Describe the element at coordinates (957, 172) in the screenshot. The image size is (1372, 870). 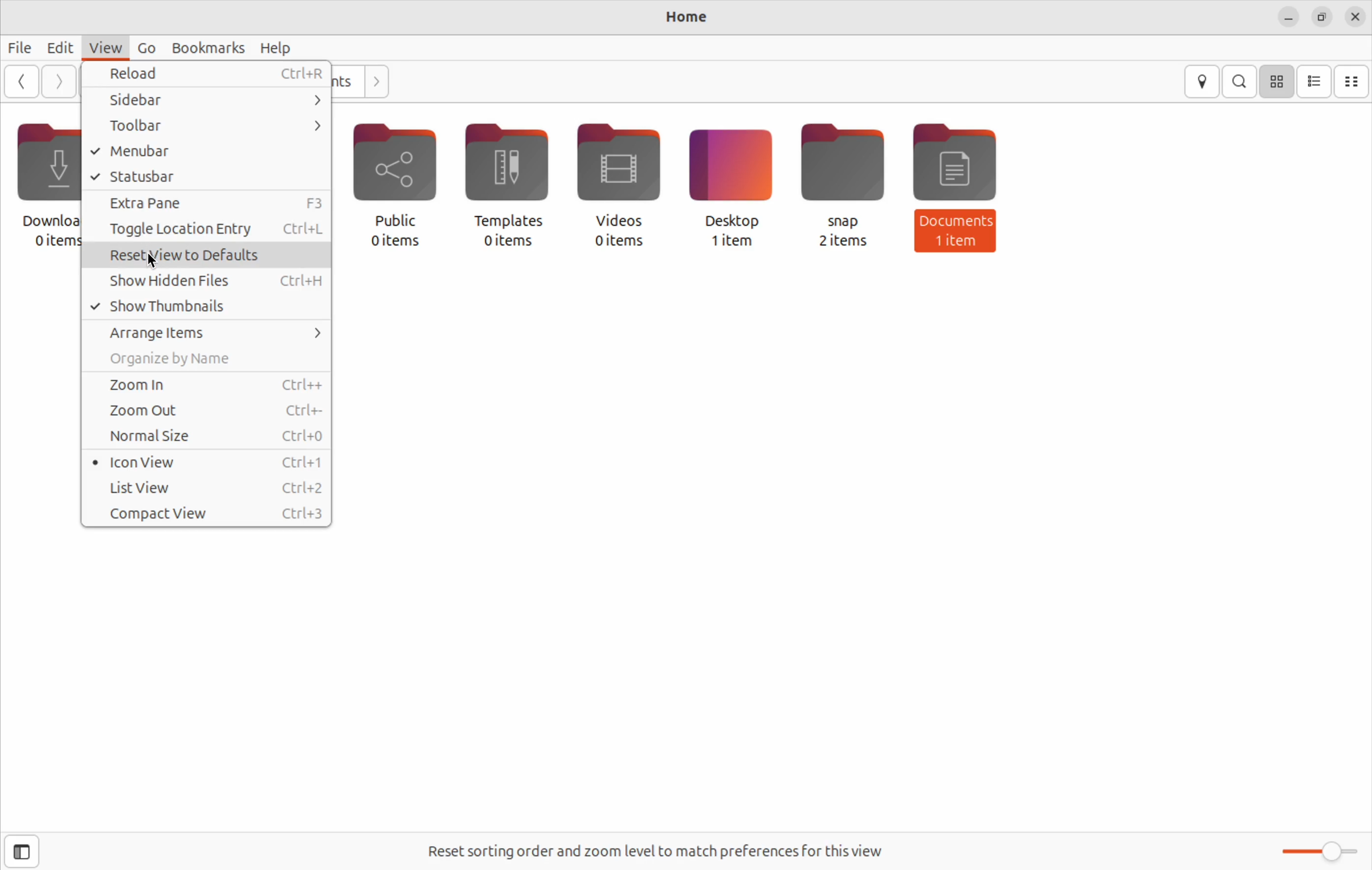
I see `DocumentS` at that location.